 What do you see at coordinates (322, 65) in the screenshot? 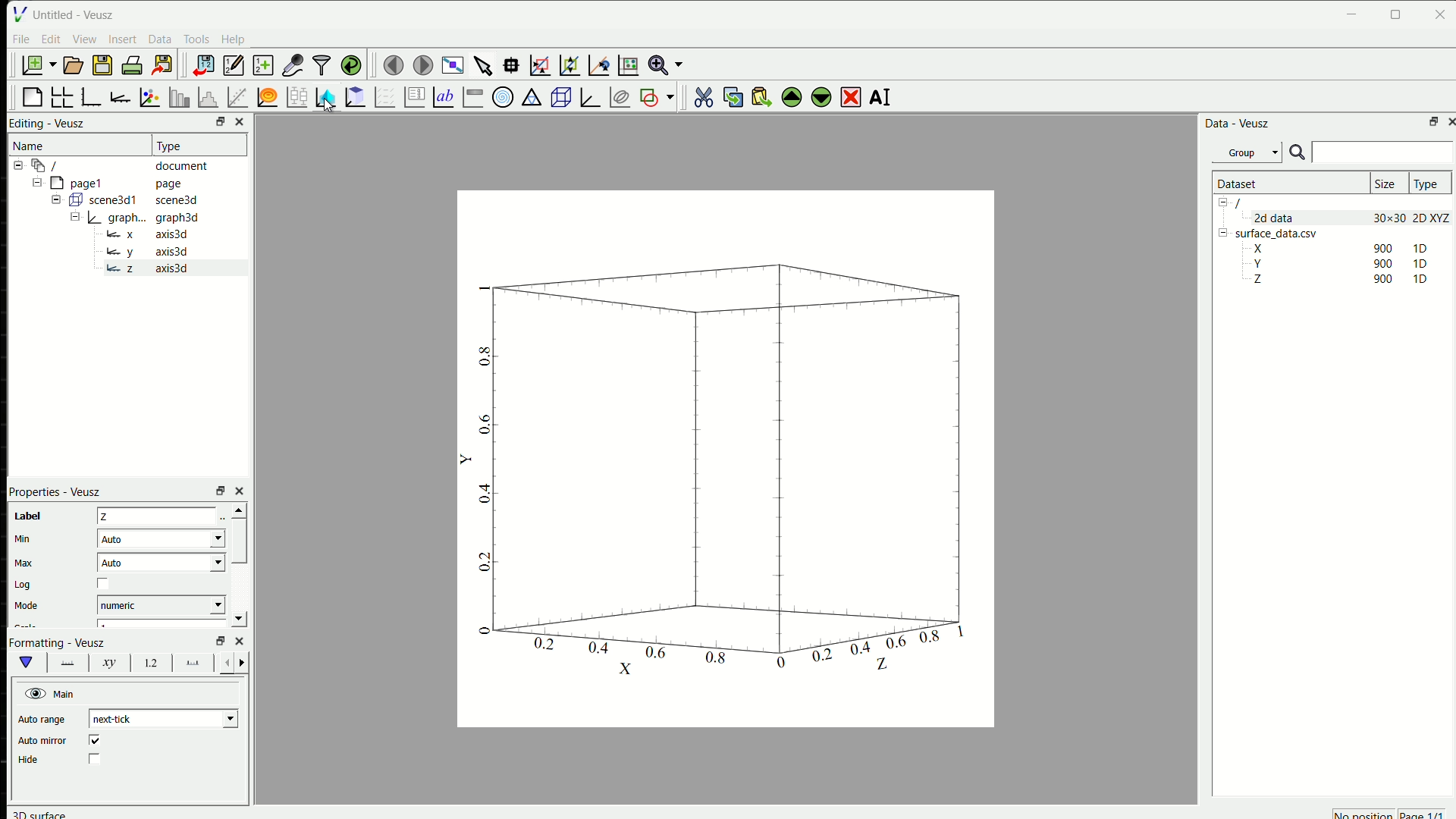
I see `filter data` at bounding box center [322, 65].